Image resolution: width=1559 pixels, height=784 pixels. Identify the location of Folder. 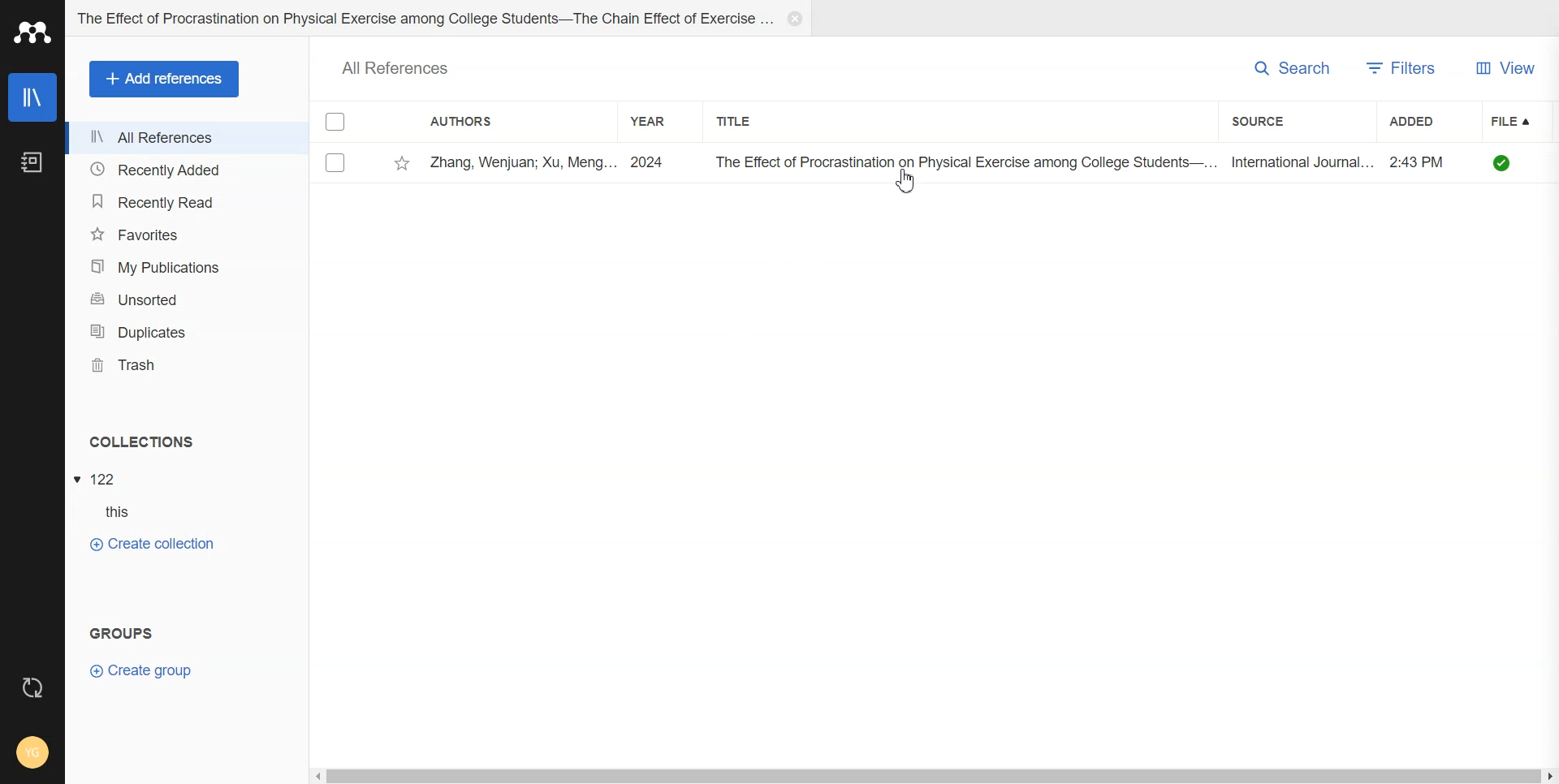
(420, 19).